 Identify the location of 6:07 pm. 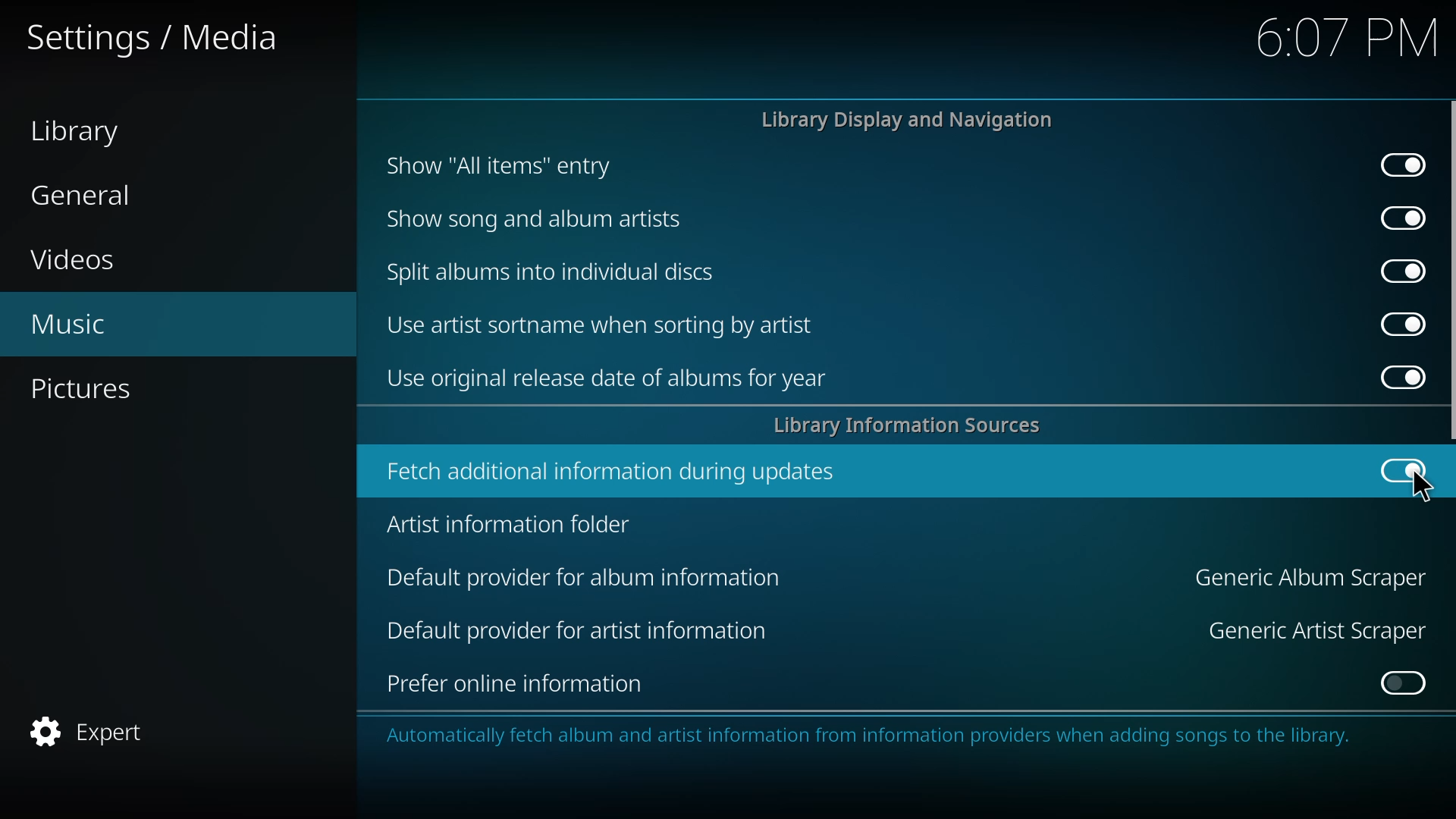
(1335, 37).